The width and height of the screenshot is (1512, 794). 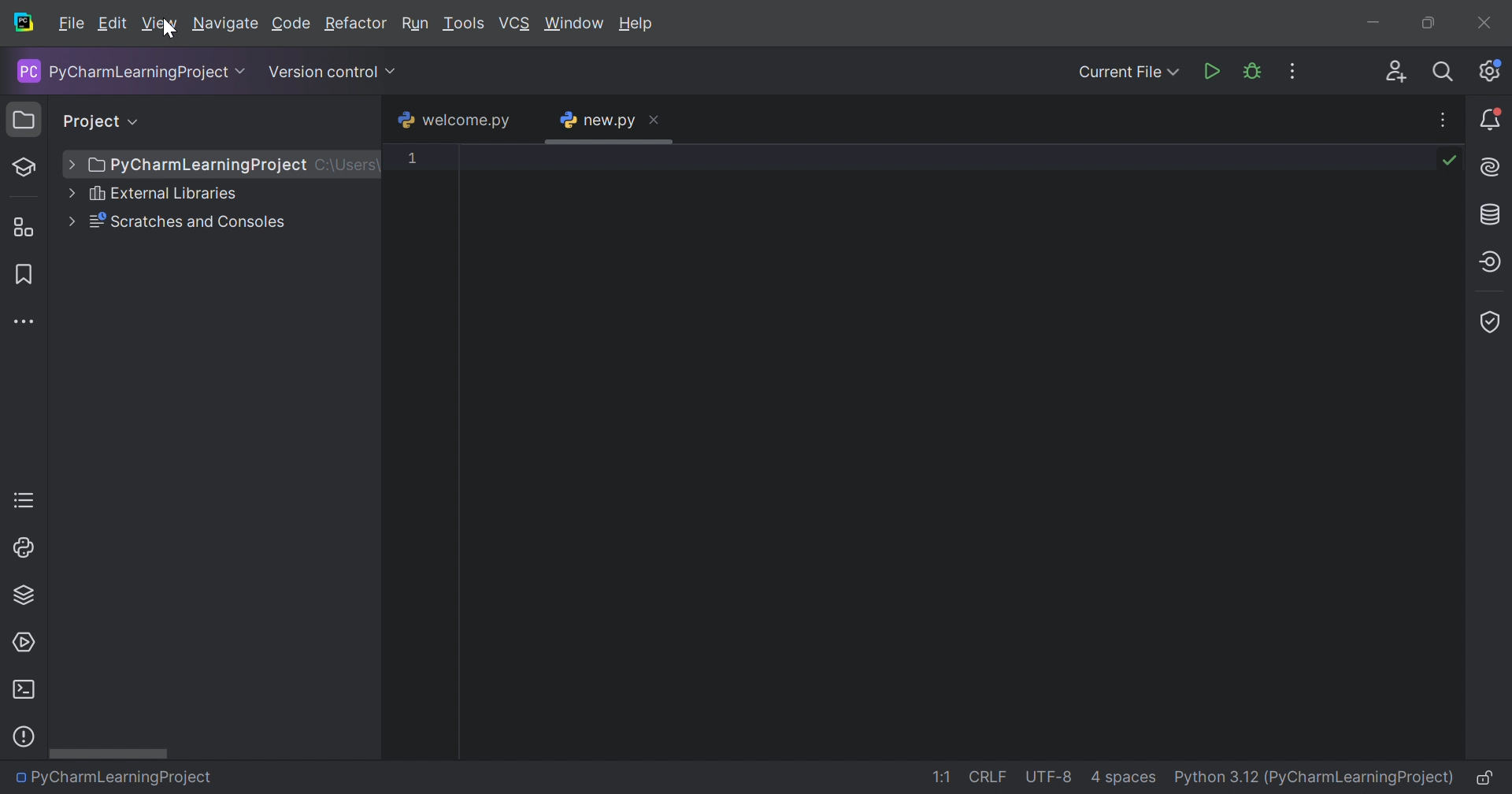 I want to click on Database, so click(x=1492, y=213).